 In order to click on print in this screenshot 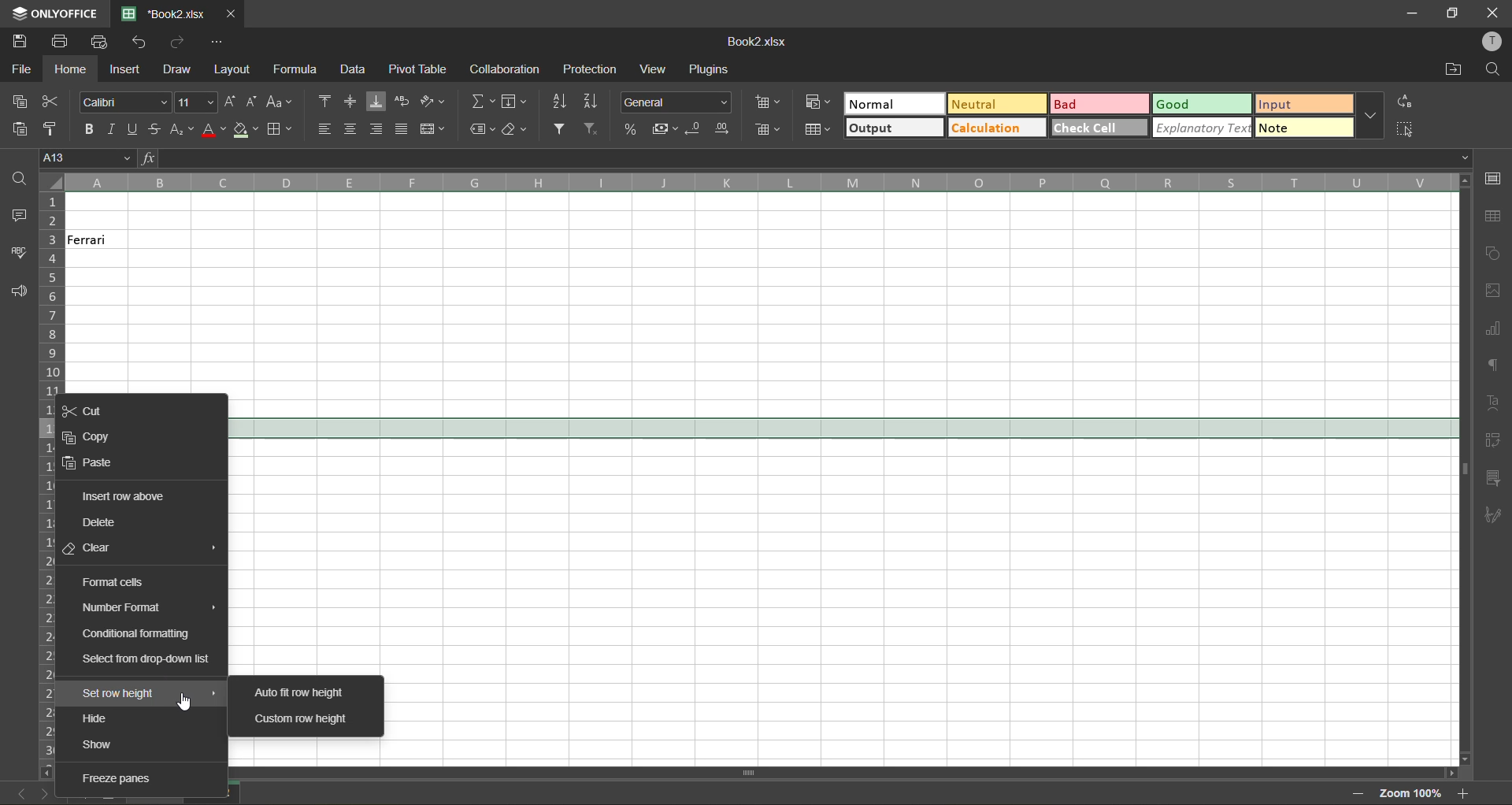, I will do `click(61, 41)`.